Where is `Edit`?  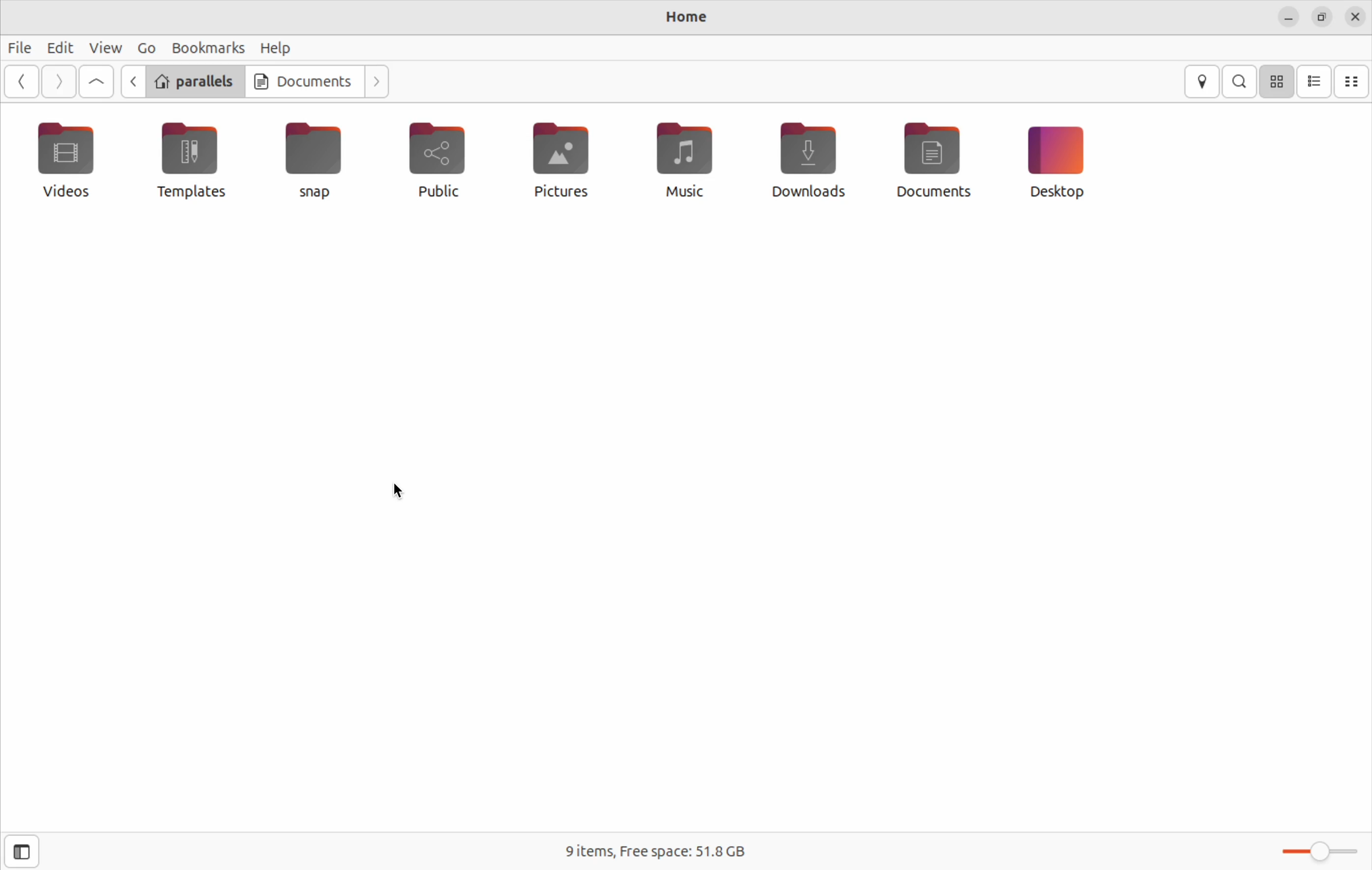 Edit is located at coordinates (58, 48).